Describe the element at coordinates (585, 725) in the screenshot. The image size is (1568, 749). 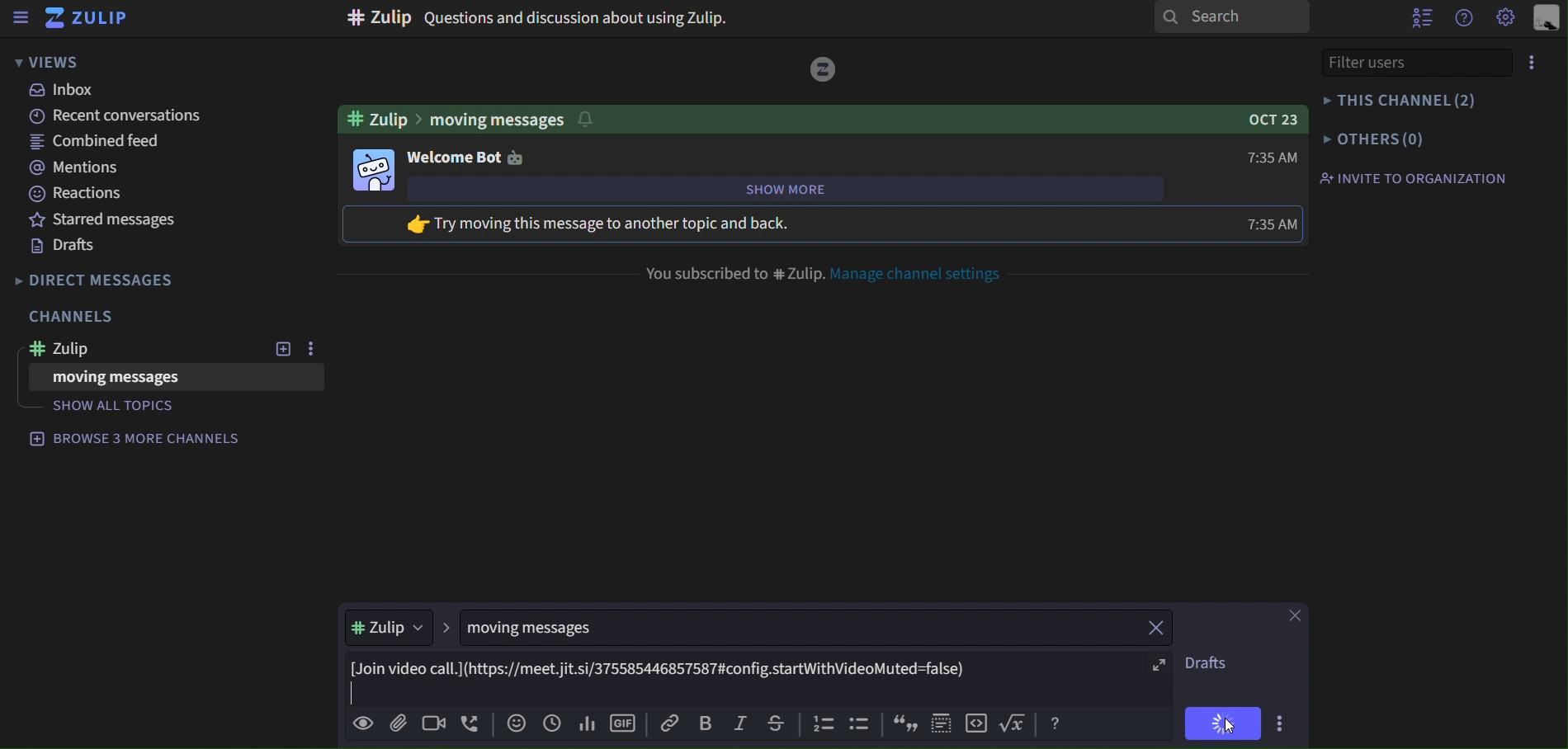
I see `add poll` at that location.